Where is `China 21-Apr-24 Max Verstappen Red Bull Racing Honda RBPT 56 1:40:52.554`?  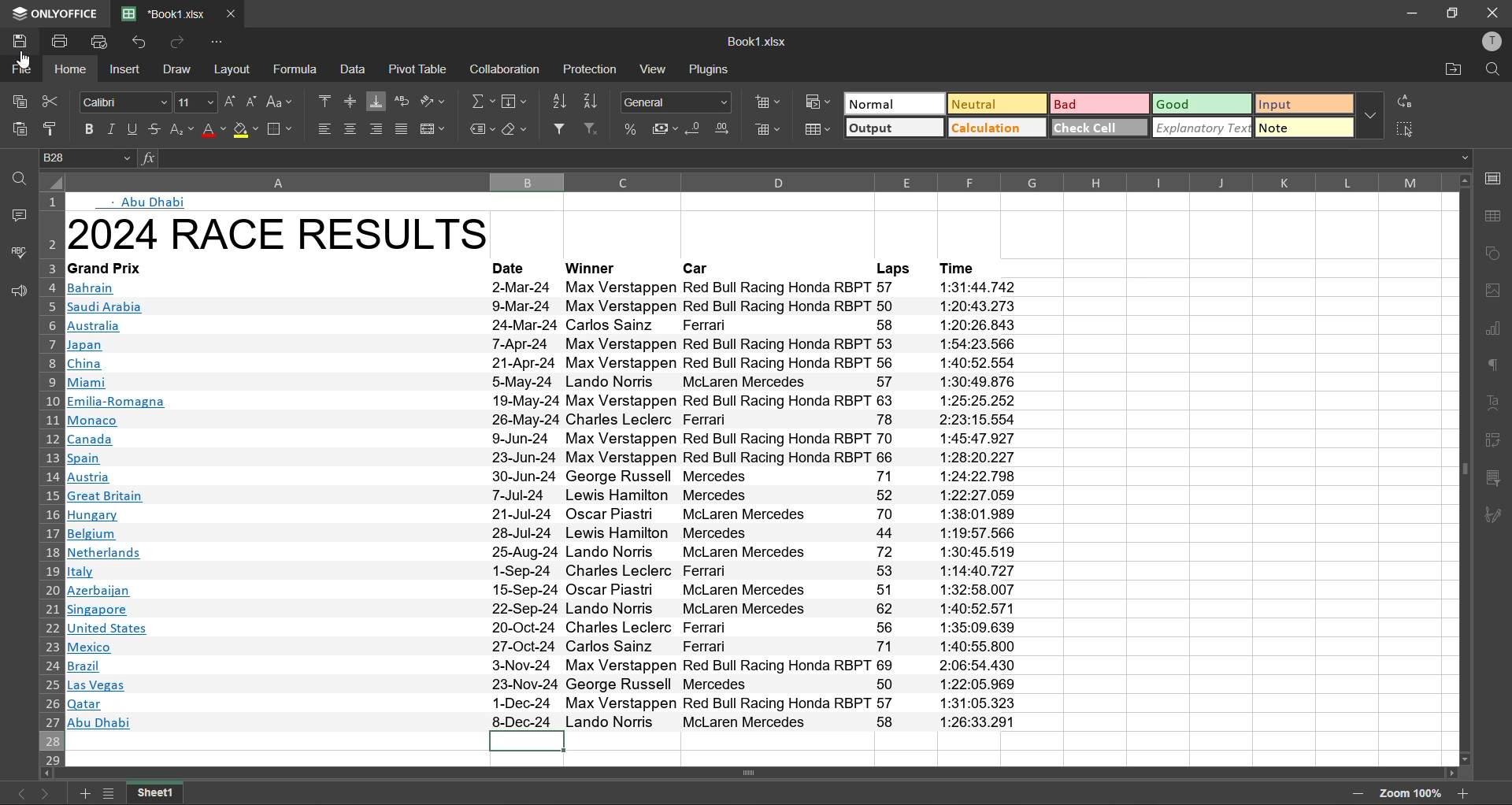
China 21-Apr-24 Max Verstappen Red Bull Racing Honda RBPT 56 1:40:52.554 is located at coordinates (550, 364).